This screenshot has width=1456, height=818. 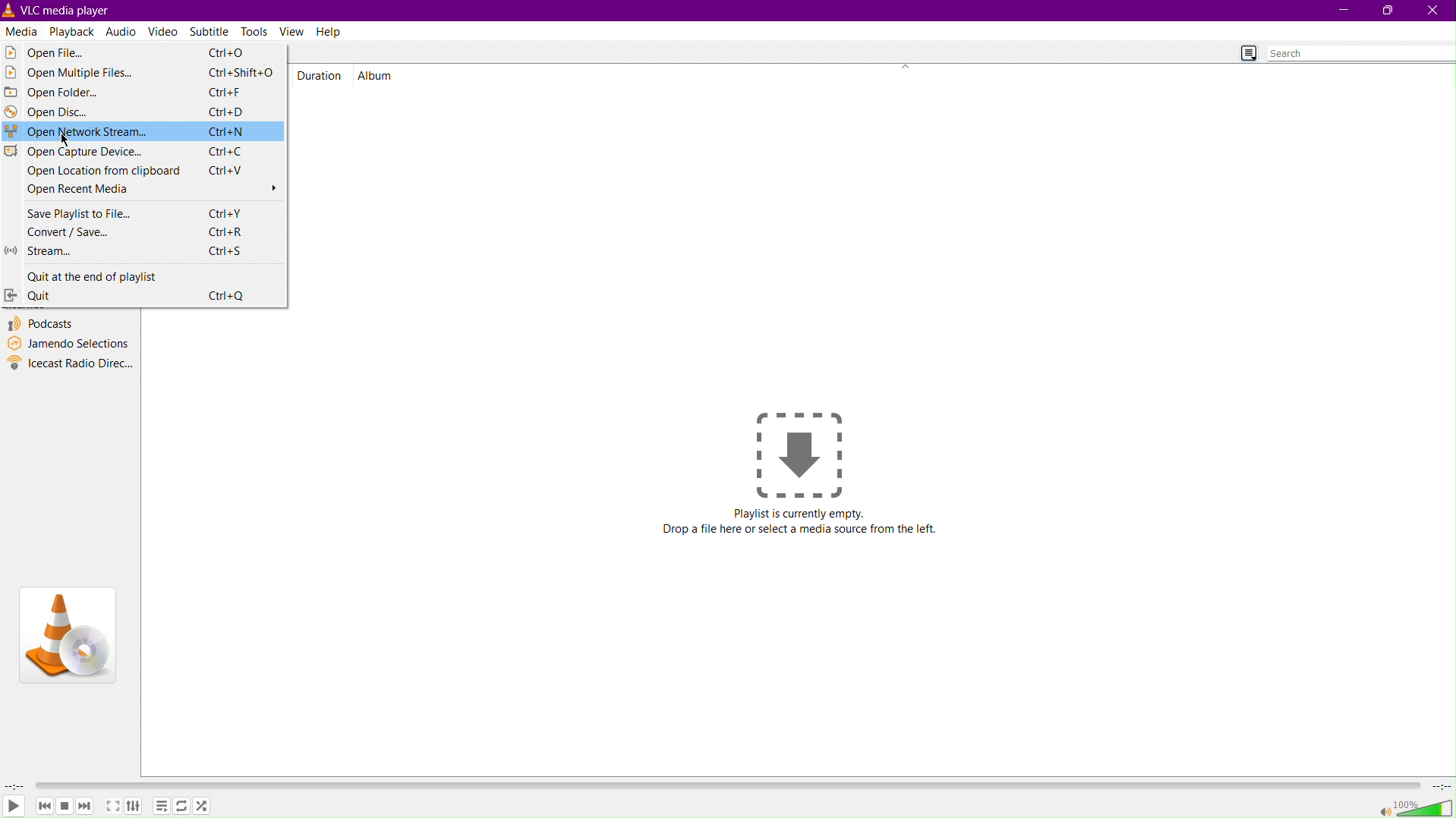 I want to click on Podcasts, so click(x=42, y=324).